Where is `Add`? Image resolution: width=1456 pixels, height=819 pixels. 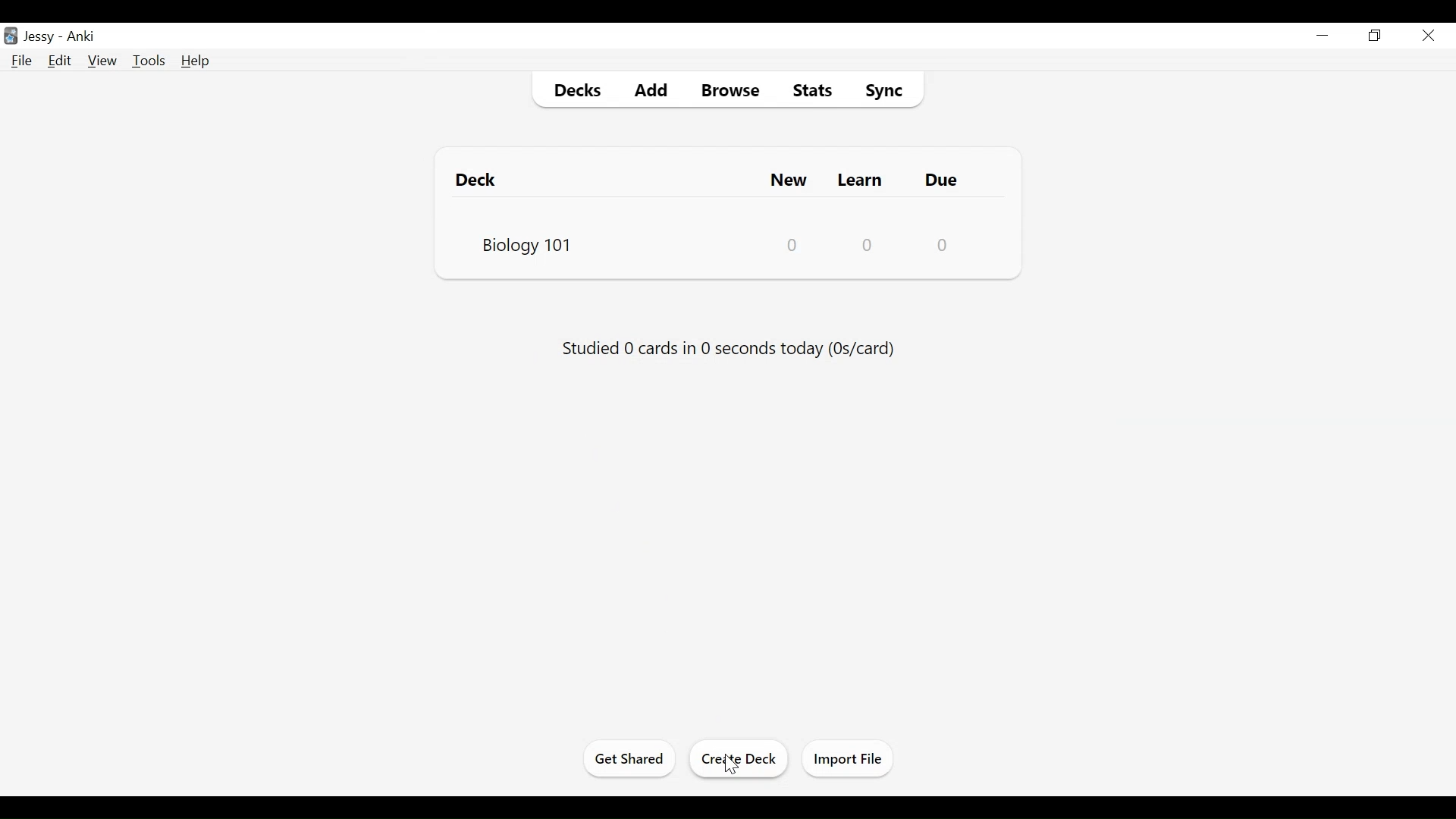 Add is located at coordinates (650, 88).